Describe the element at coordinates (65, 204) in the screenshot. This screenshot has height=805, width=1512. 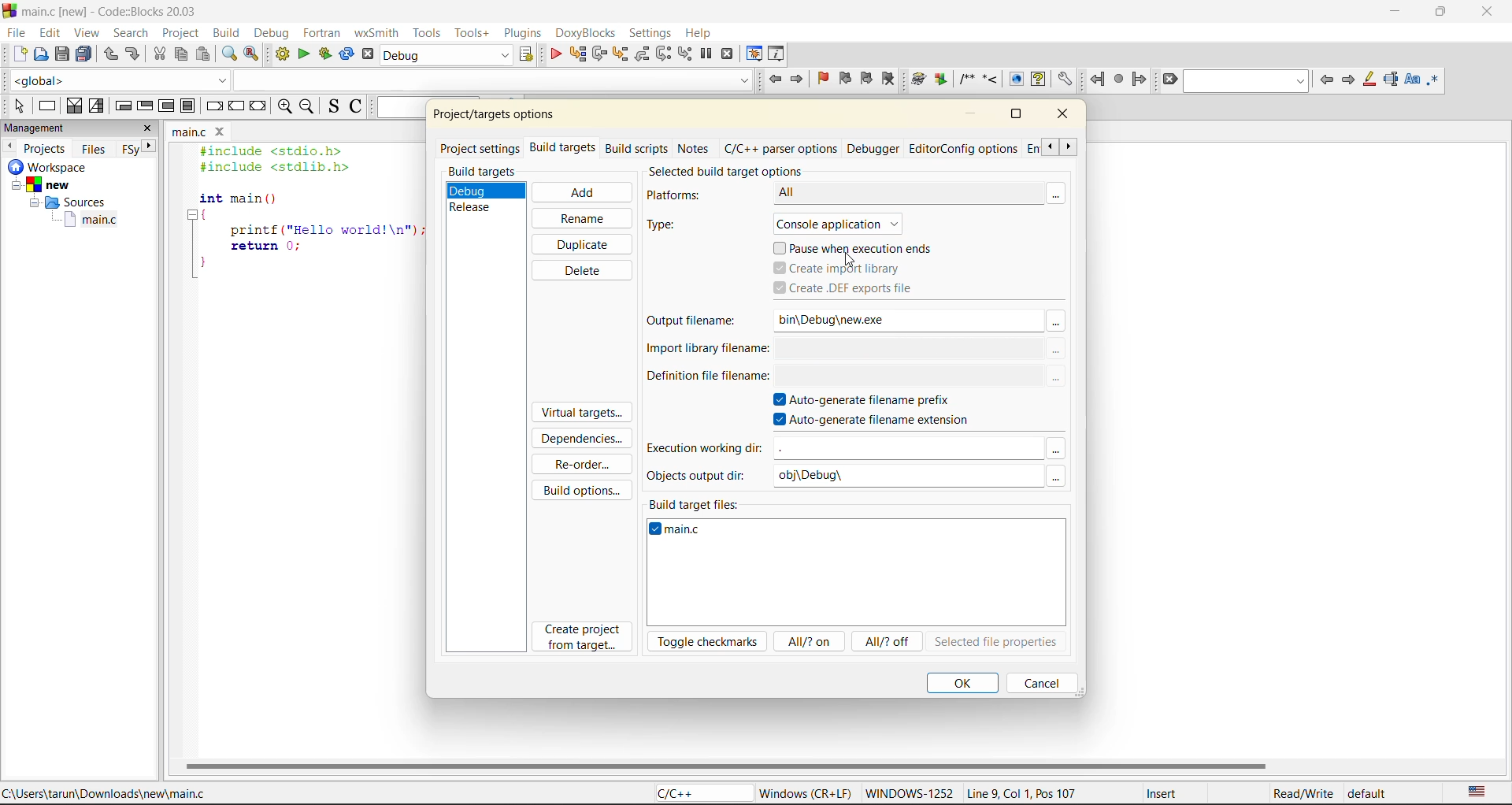
I see `Sources` at that location.